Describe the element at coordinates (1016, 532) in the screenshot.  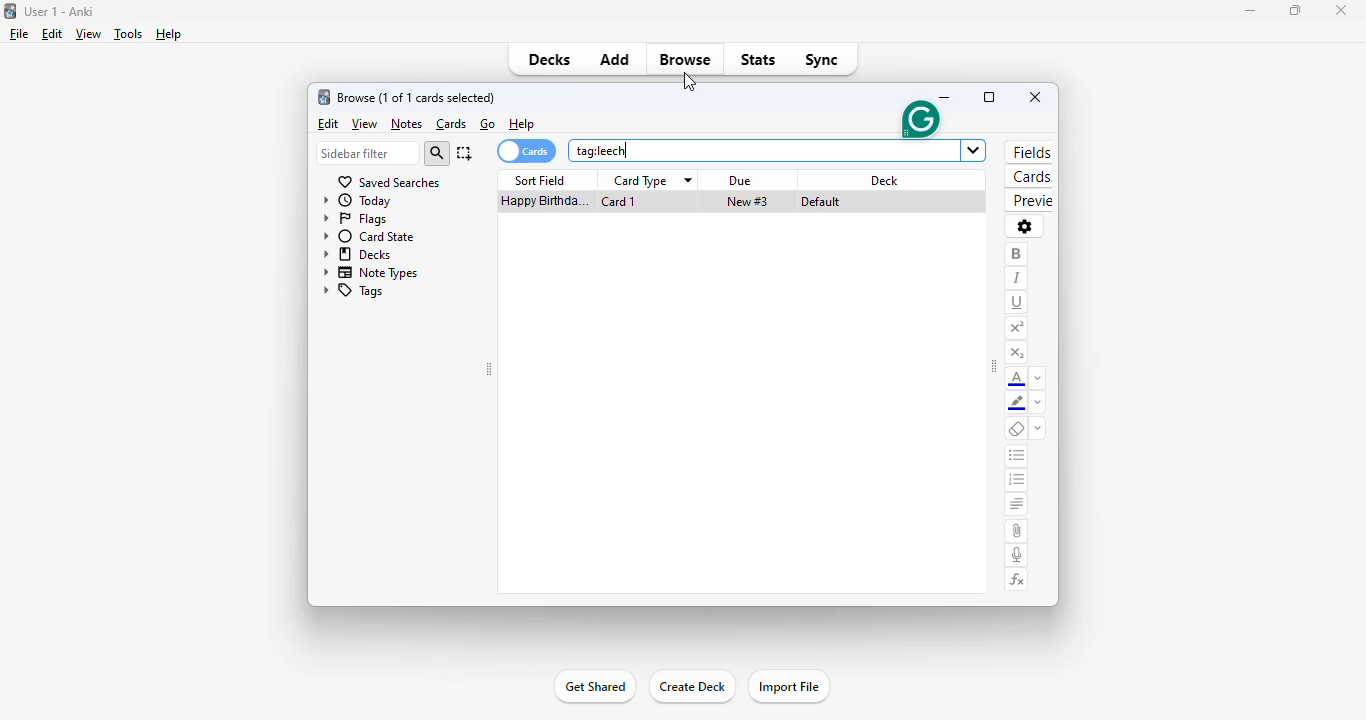
I see `attach pictures/audio/video` at that location.